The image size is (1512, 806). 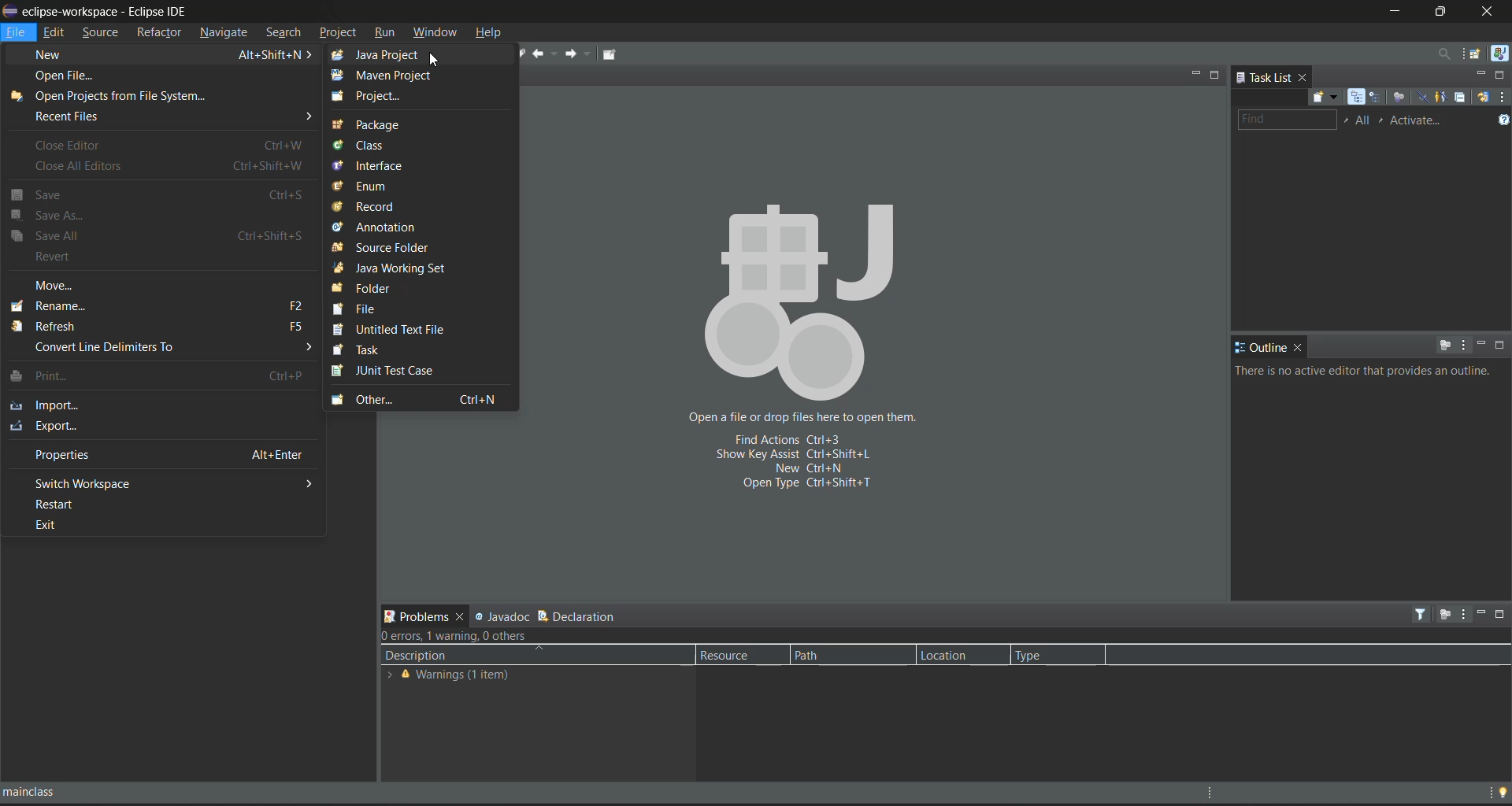 What do you see at coordinates (435, 32) in the screenshot?
I see `window` at bounding box center [435, 32].